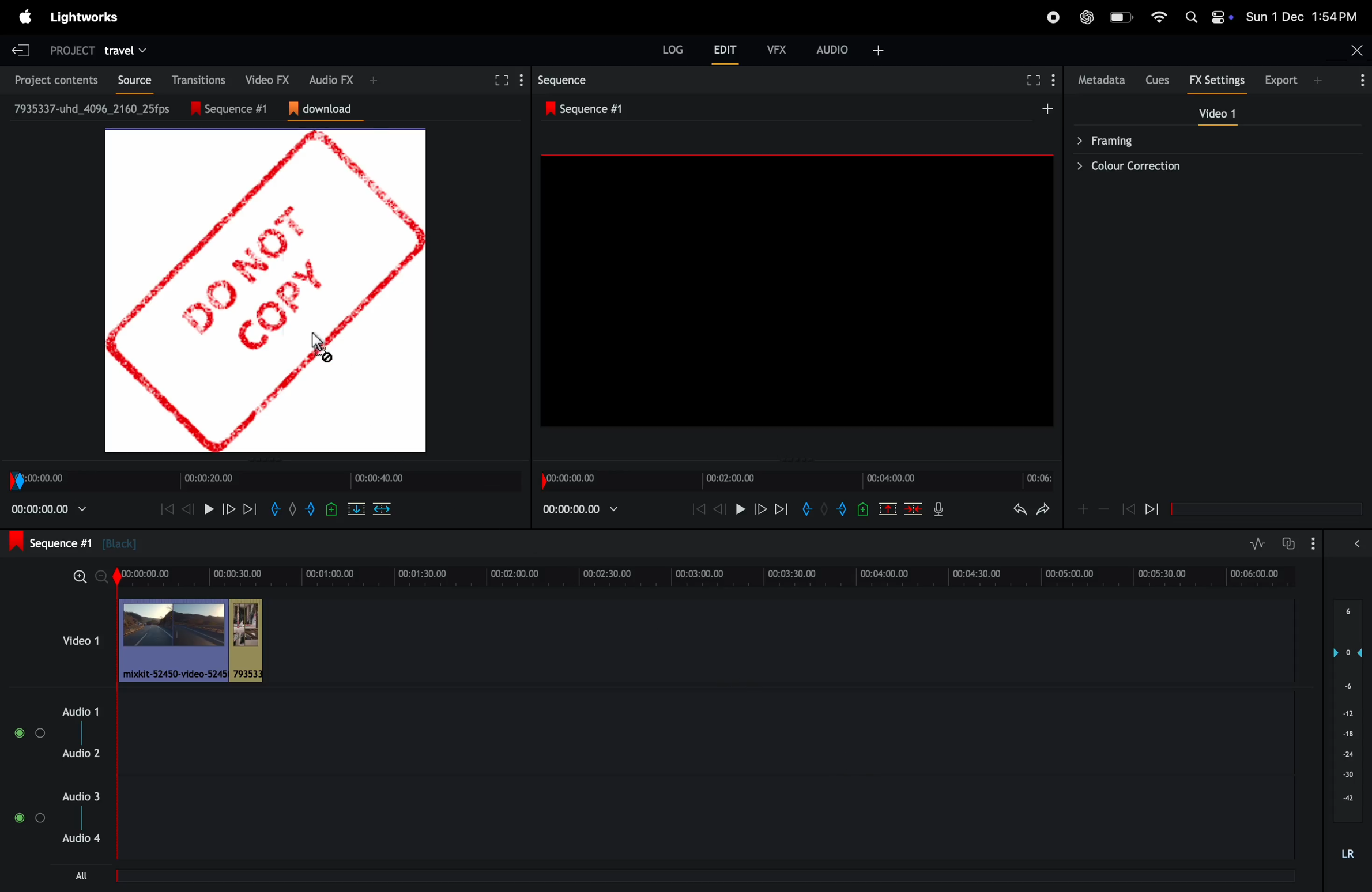 The height and width of the screenshot is (892, 1372). What do you see at coordinates (236, 109) in the screenshot?
I see `sequence #1` at bounding box center [236, 109].